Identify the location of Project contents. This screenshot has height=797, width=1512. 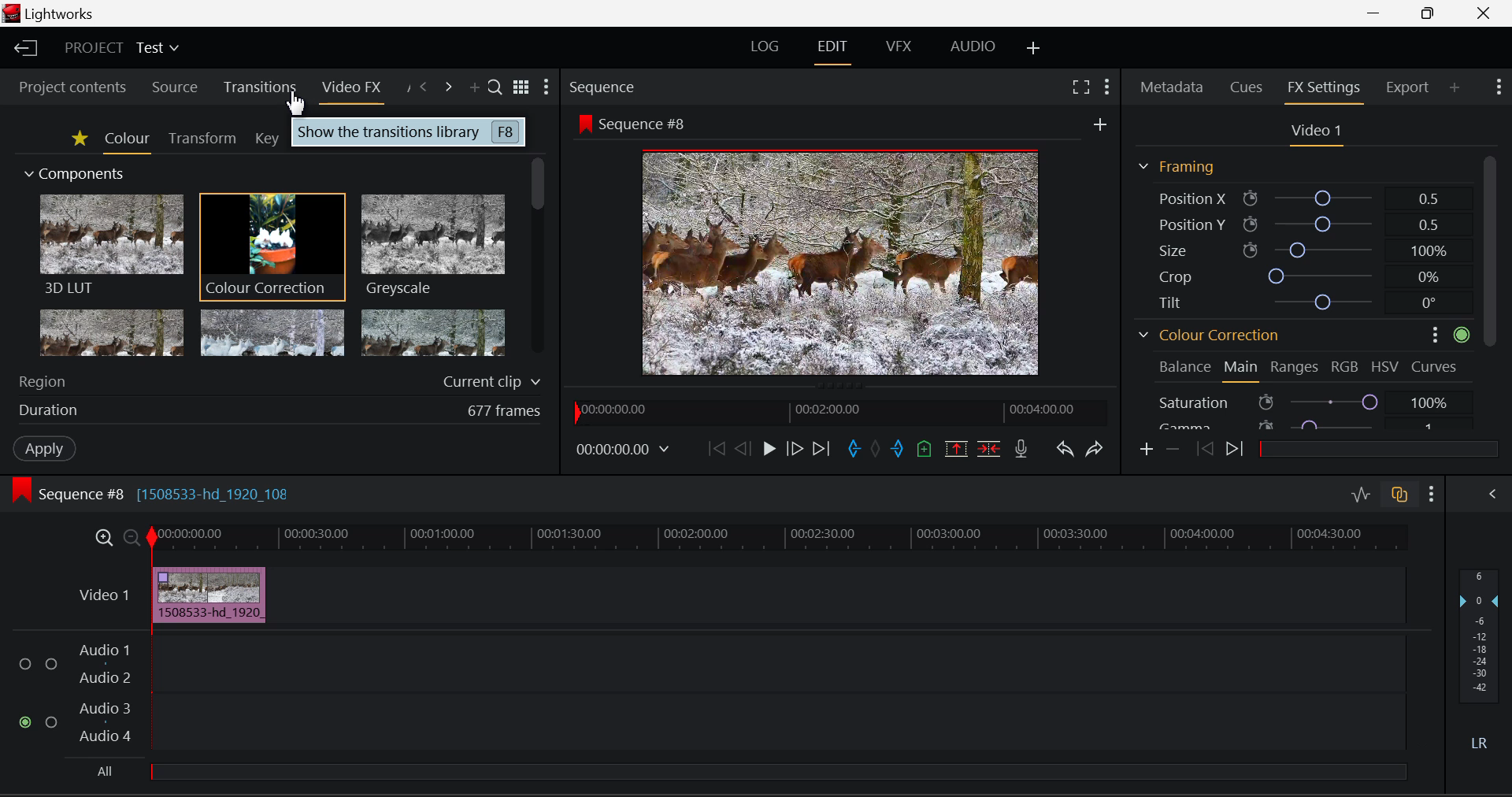
(67, 86).